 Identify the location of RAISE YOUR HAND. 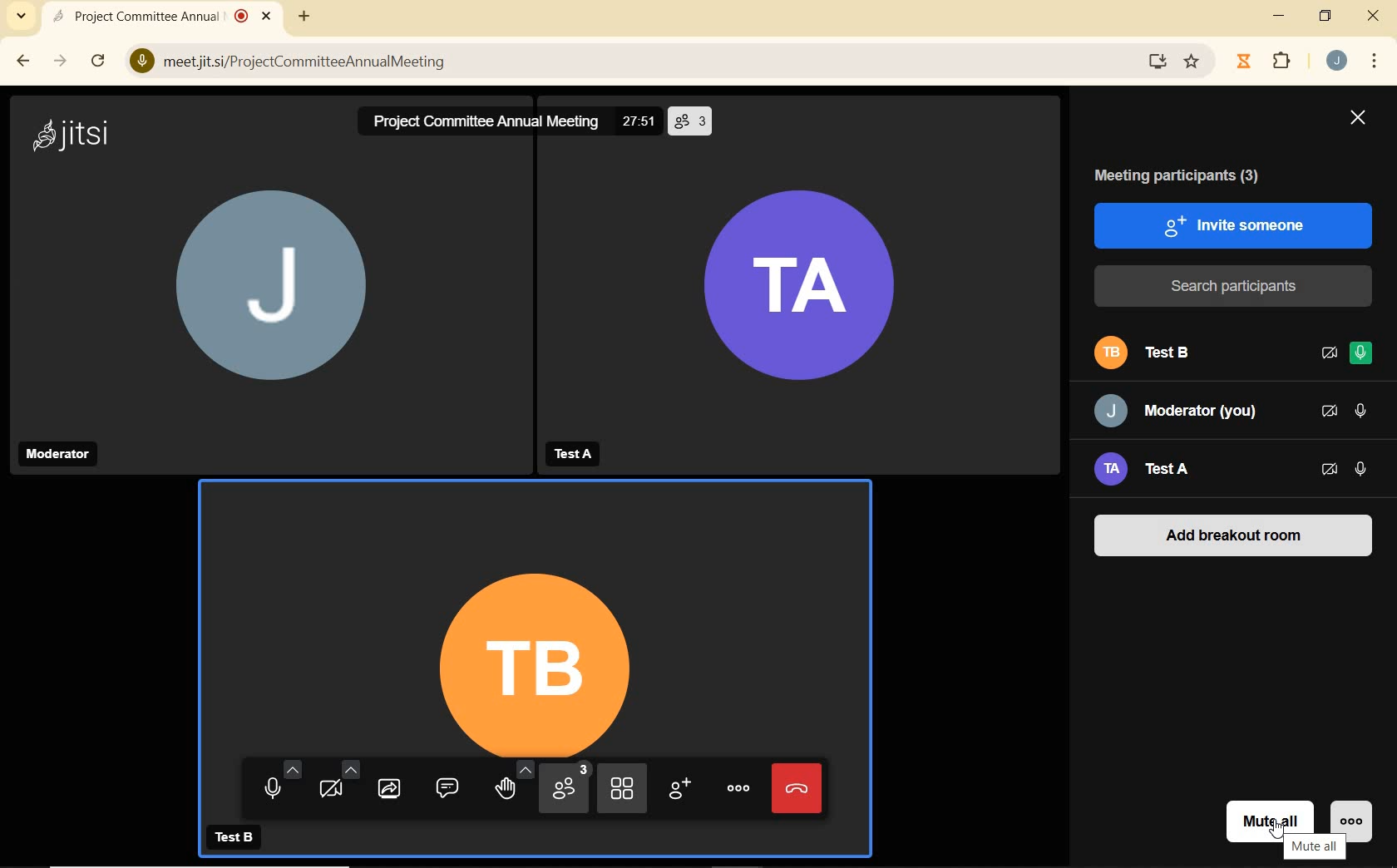
(510, 792).